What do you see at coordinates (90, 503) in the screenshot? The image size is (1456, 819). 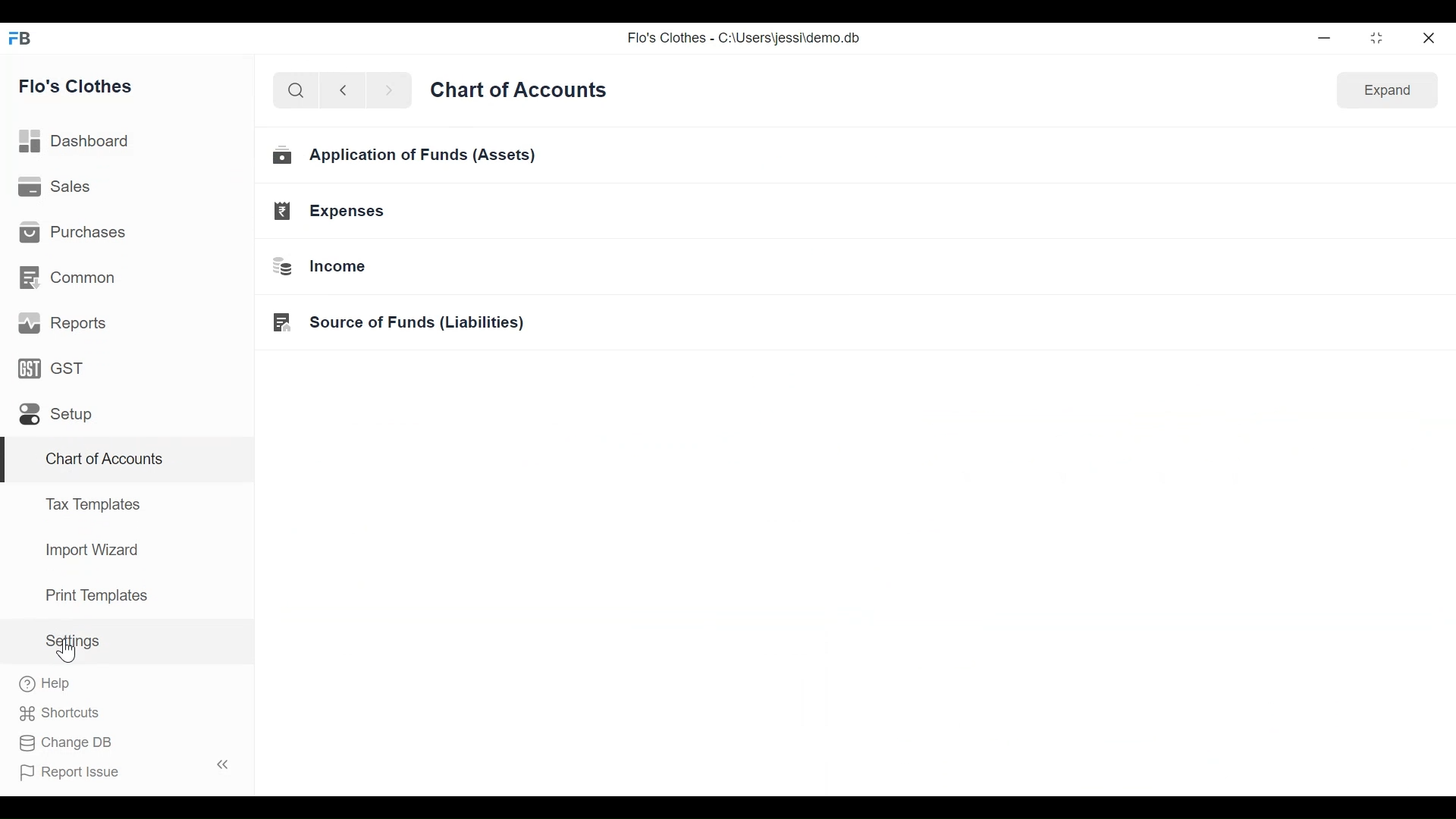 I see `tax templates` at bounding box center [90, 503].